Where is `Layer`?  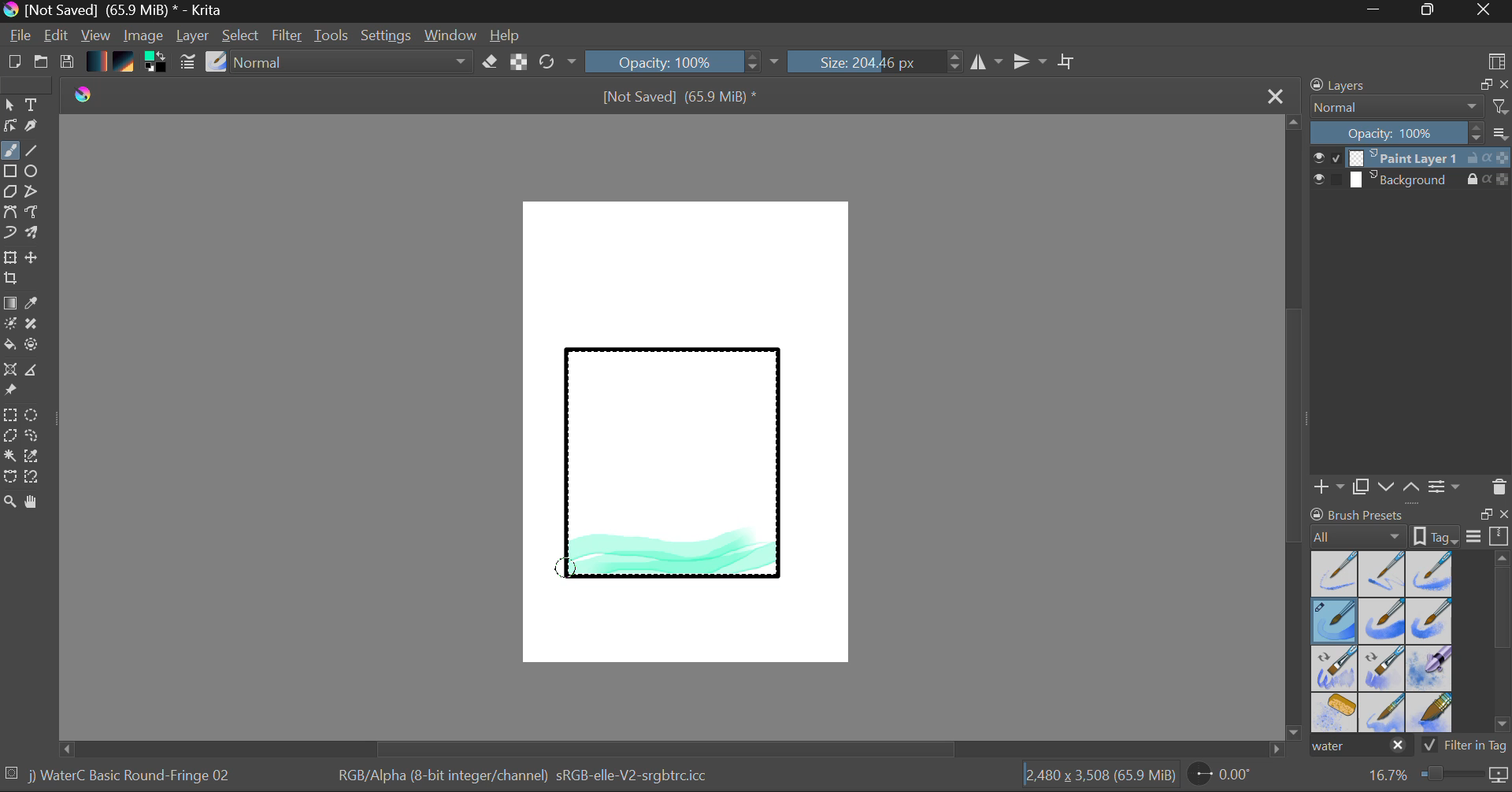
Layer is located at coordinates (195, 35).